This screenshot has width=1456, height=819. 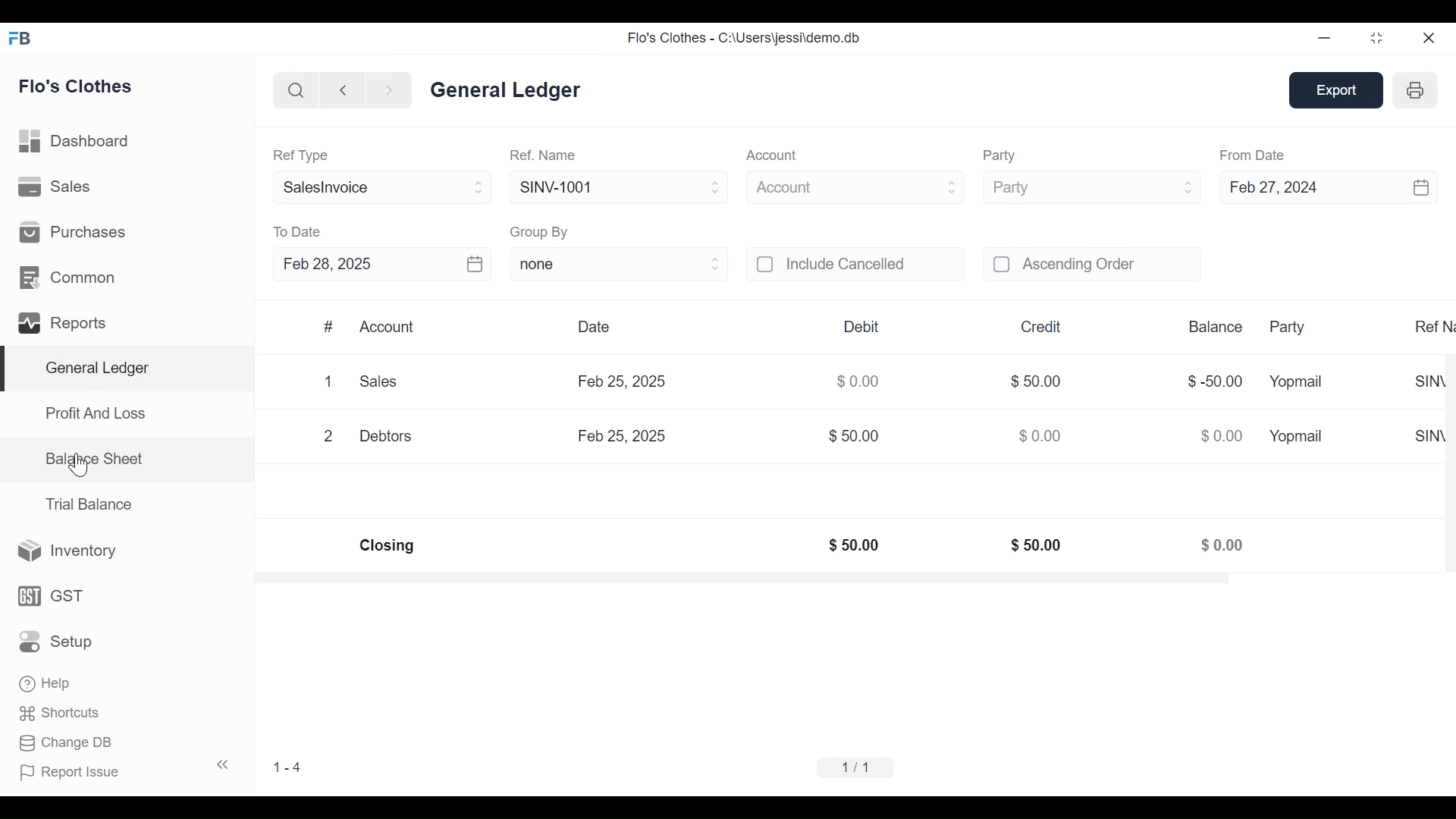 What do you see at coordinates (619, 265) in the screenshot?
I see `none` at bounding box center [619, 265].